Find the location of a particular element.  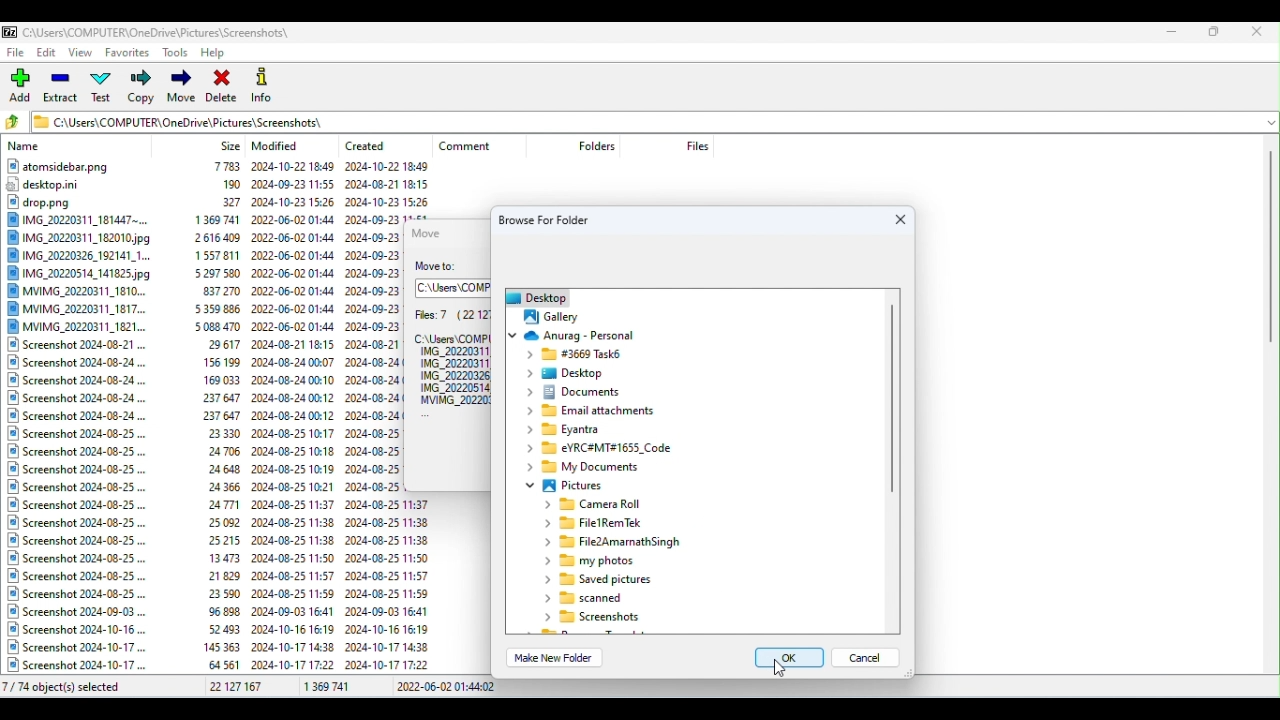

Folder is located at coordinates (602, 523).